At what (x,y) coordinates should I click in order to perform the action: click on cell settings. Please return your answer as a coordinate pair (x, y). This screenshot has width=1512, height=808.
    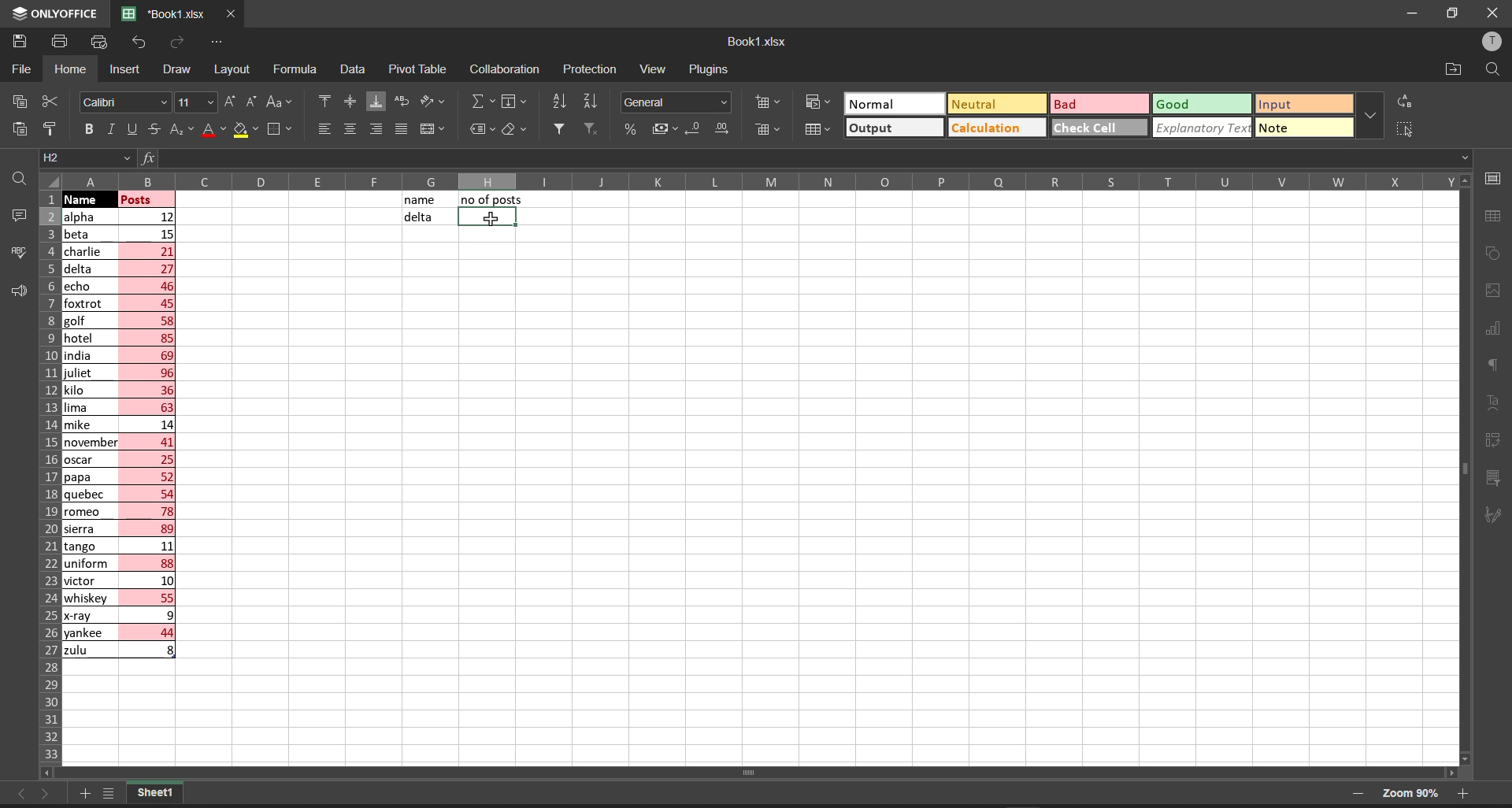
    Looking at the image, I should click on (1494, 176).